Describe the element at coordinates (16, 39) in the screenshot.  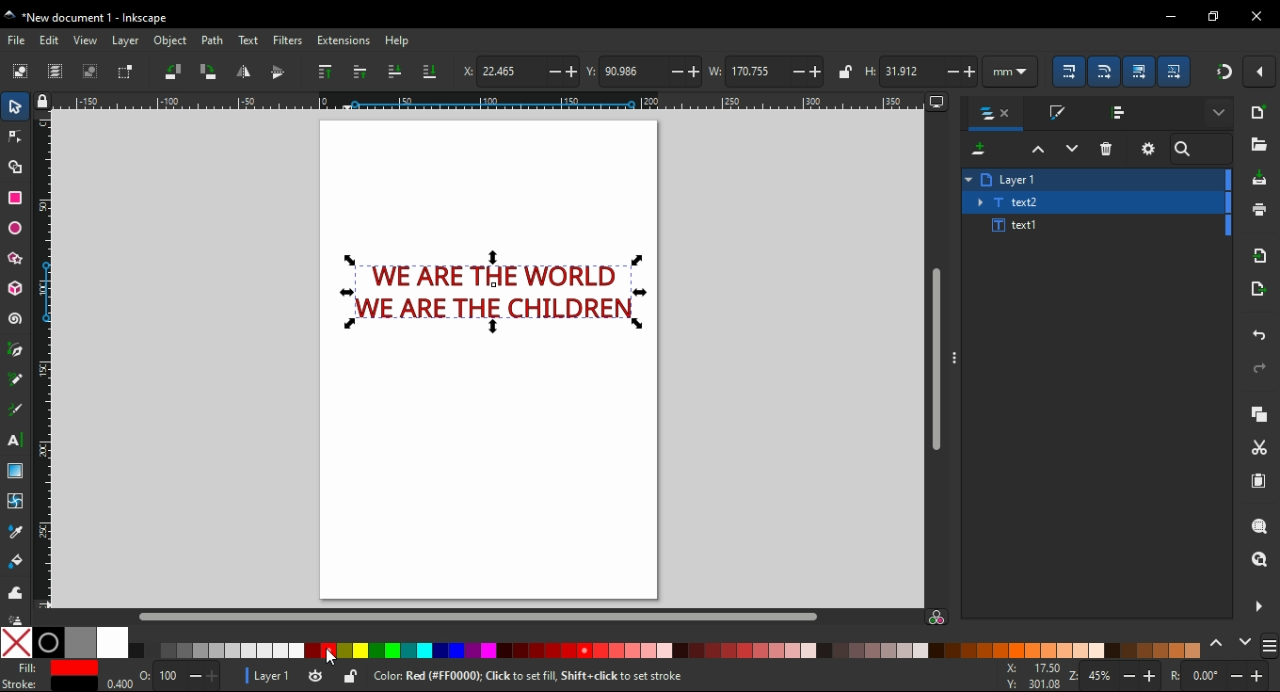
I see `file` at that location.